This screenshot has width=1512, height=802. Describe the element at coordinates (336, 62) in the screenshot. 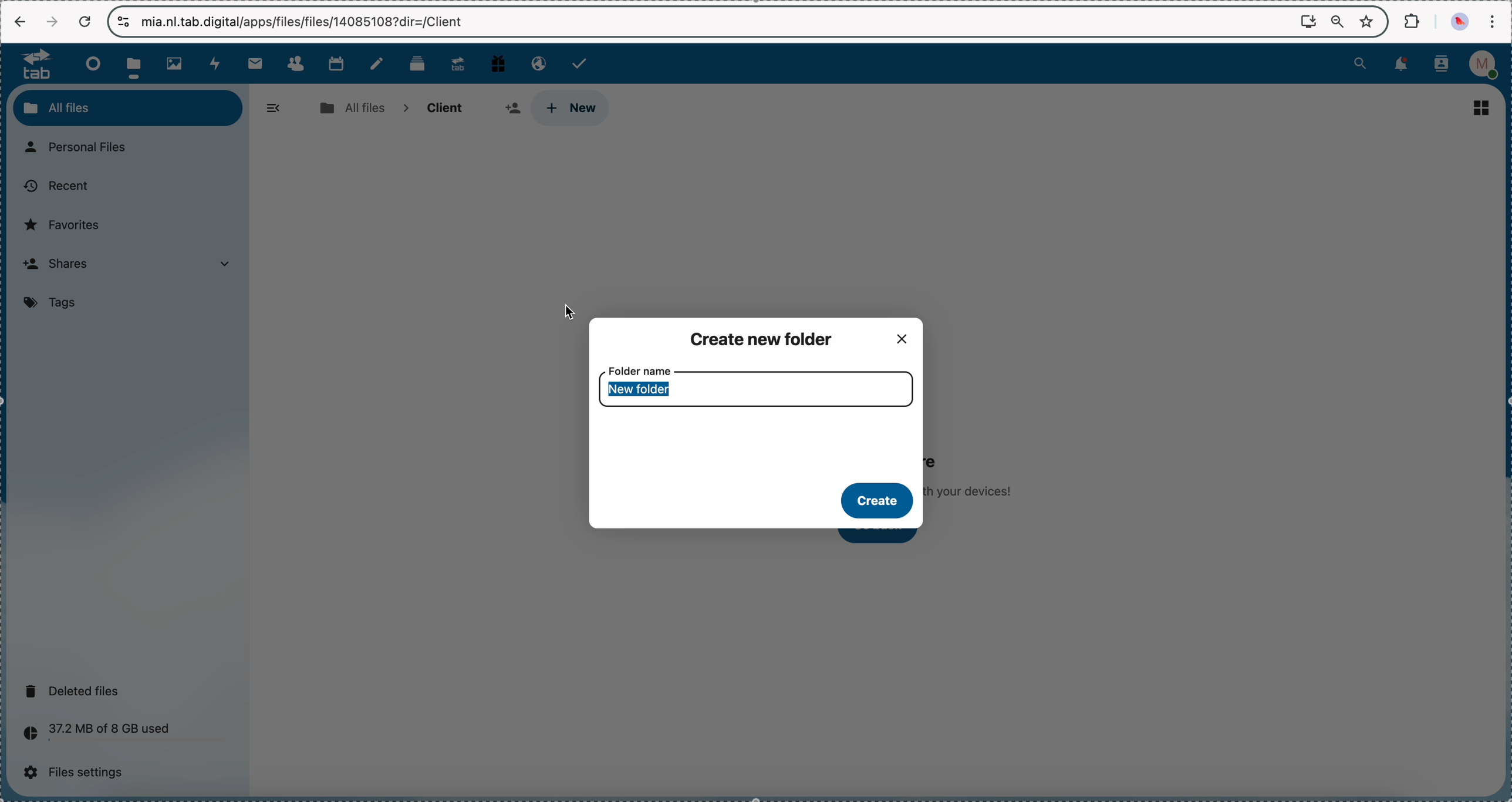

I see `calendar` at that location.